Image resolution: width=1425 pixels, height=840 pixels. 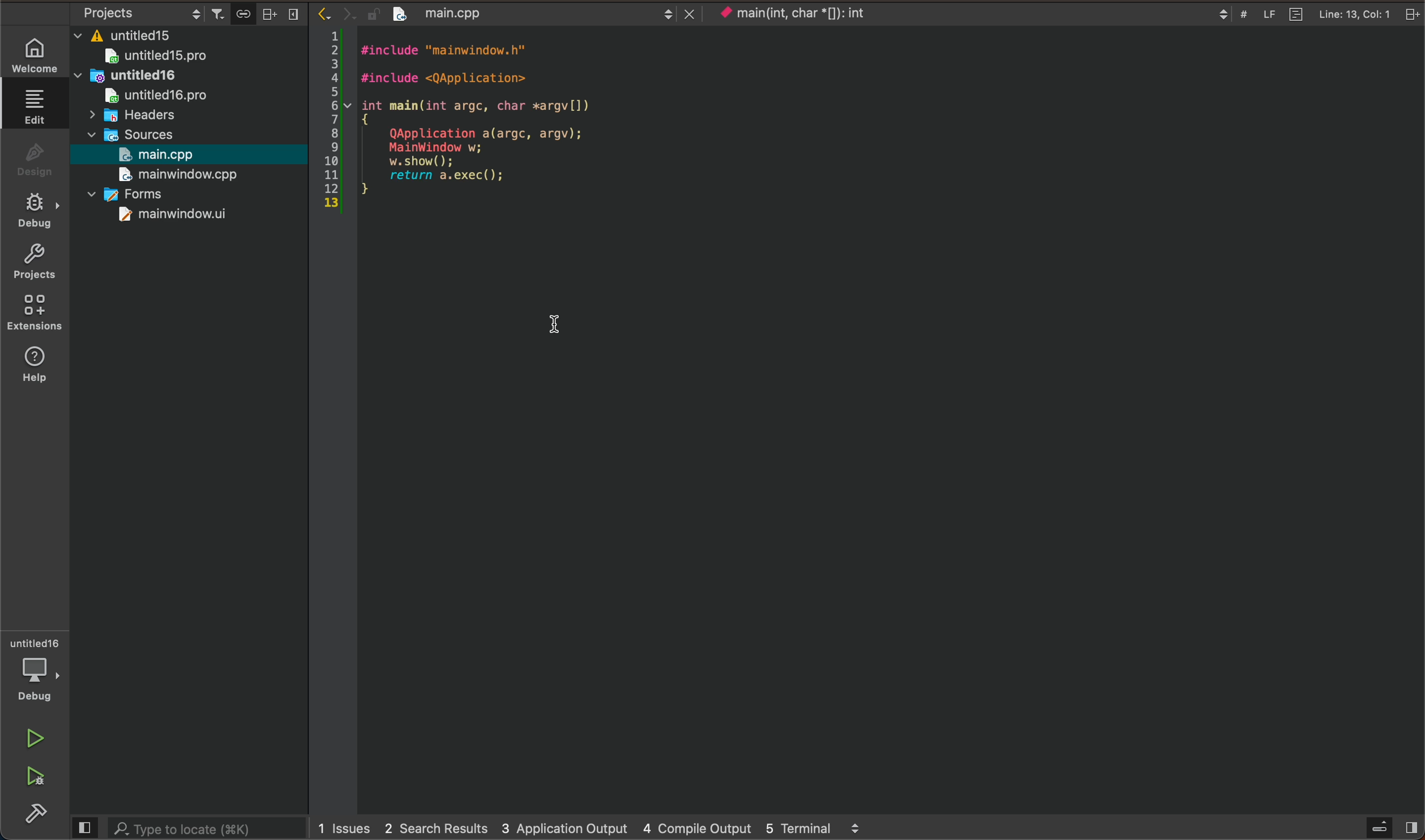 I want to click on untitled15pro, so click(x=161, y=56).